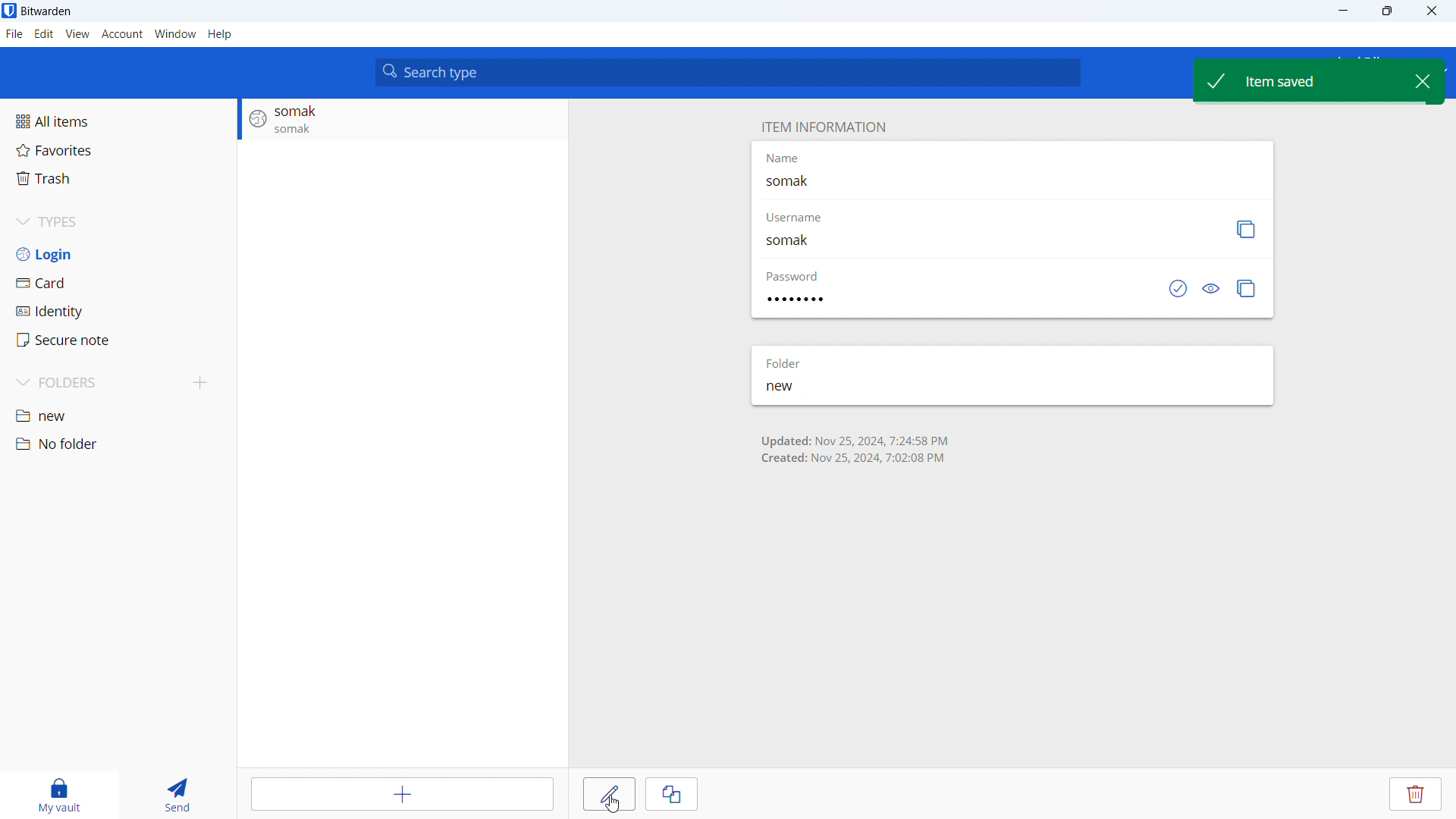 The height and width of the screenshot is (819, 1456). Describe the element at coordinates (123, 34) in the screenshot. I see `account` at that location.